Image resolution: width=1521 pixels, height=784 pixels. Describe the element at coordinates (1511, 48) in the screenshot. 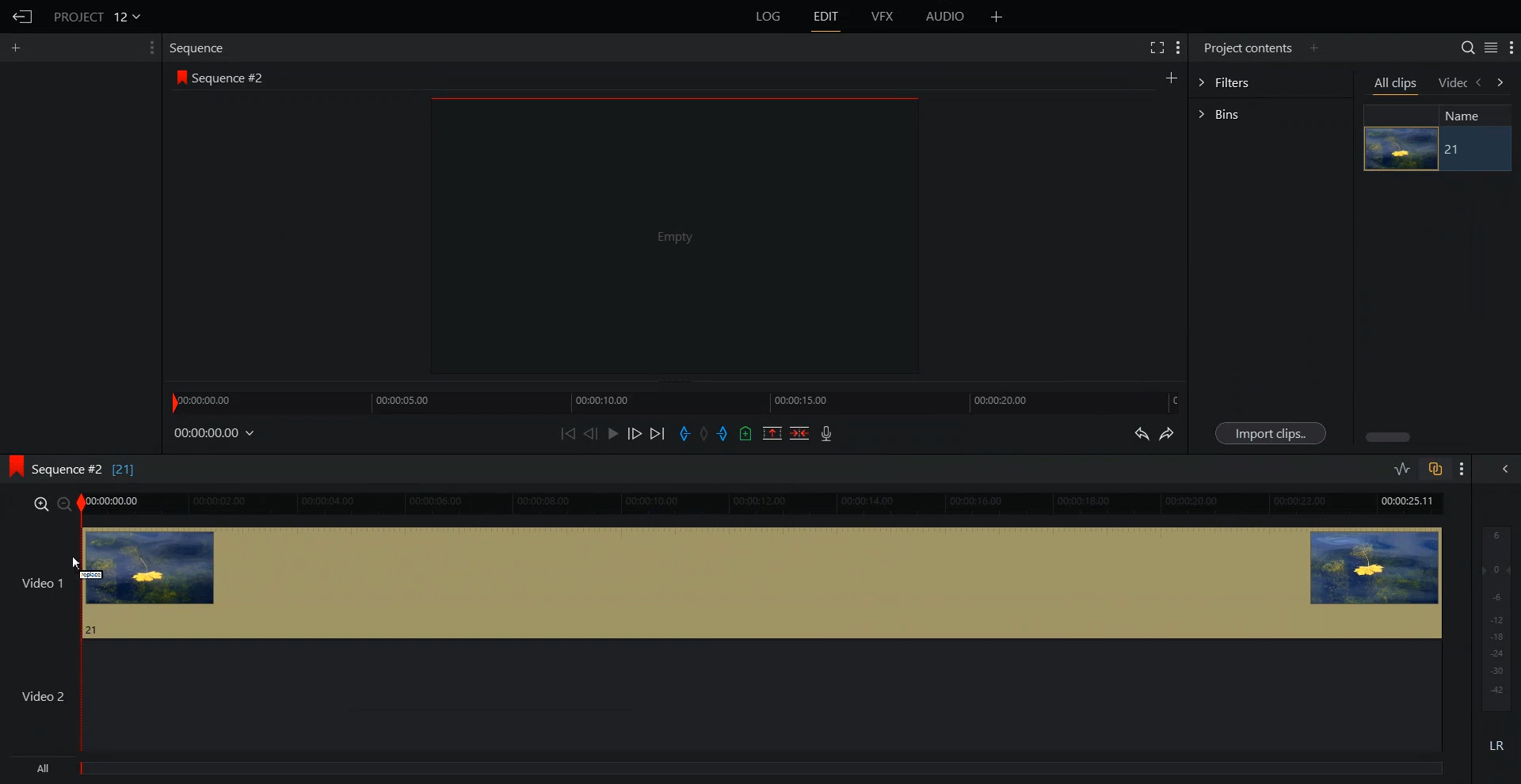

I see `Show Setting Menu` at that location.